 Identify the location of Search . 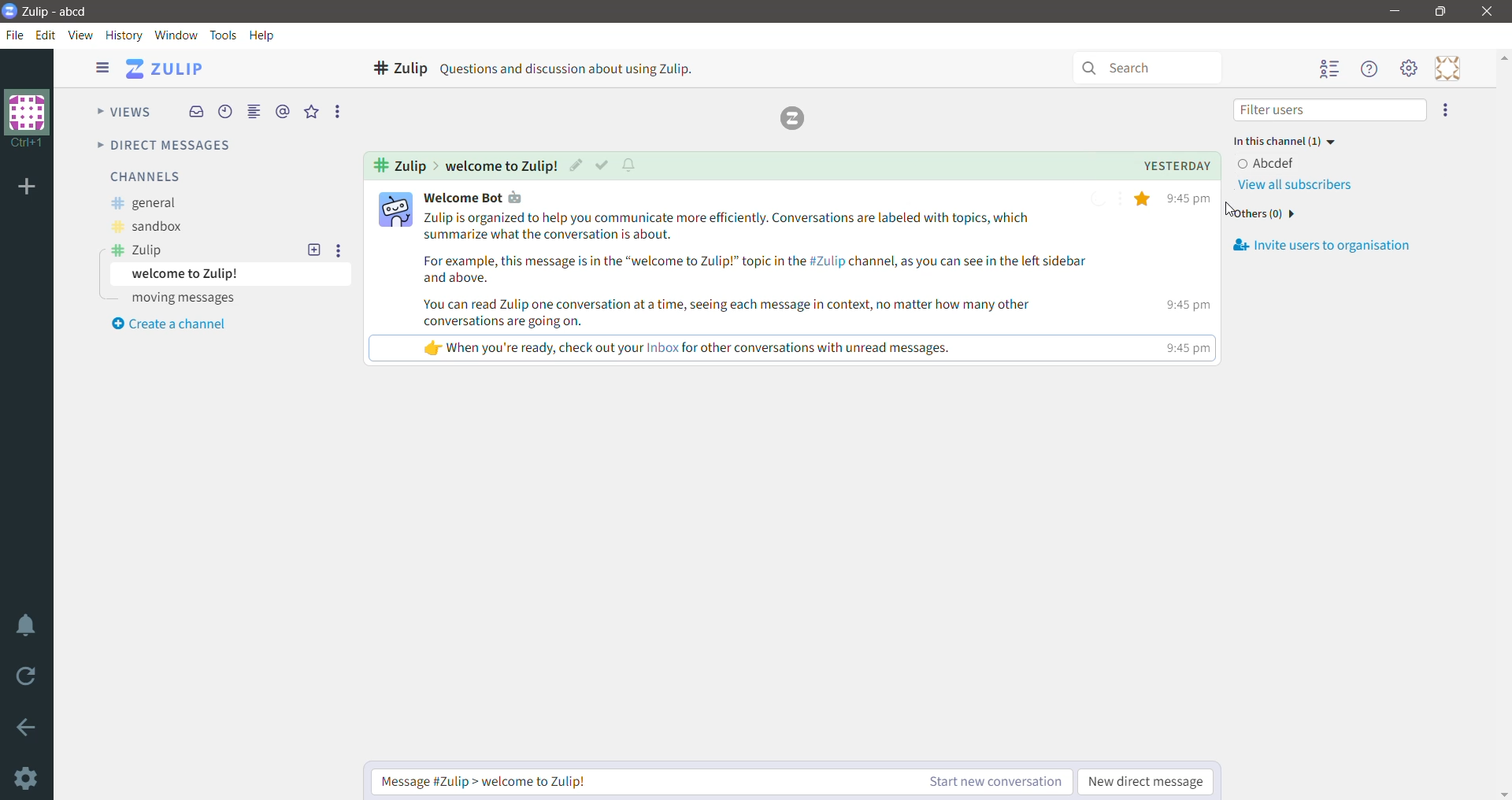
(1151, 65).